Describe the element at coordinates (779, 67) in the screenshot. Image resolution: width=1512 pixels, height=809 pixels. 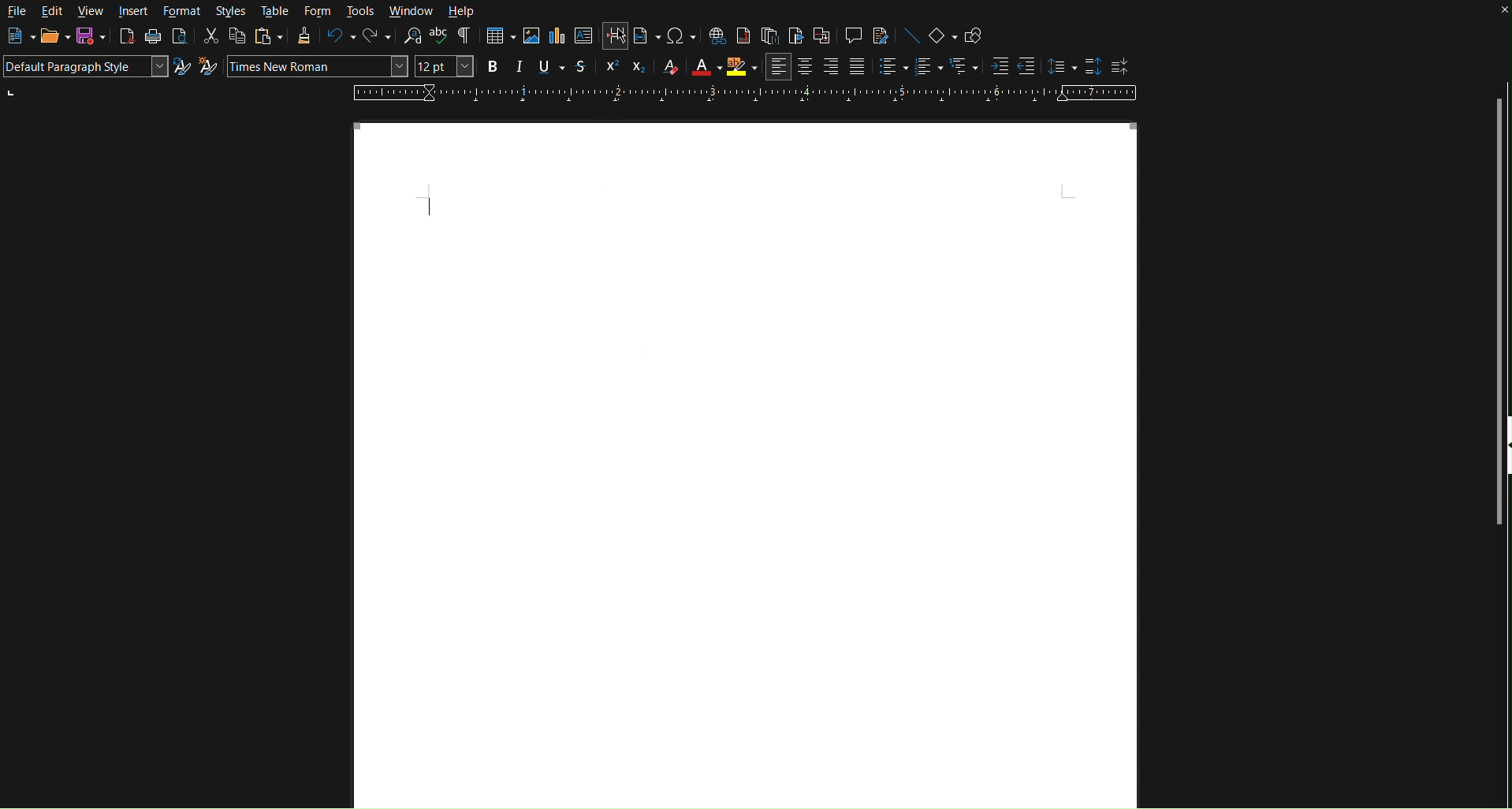
I see `Align Left` at that location.